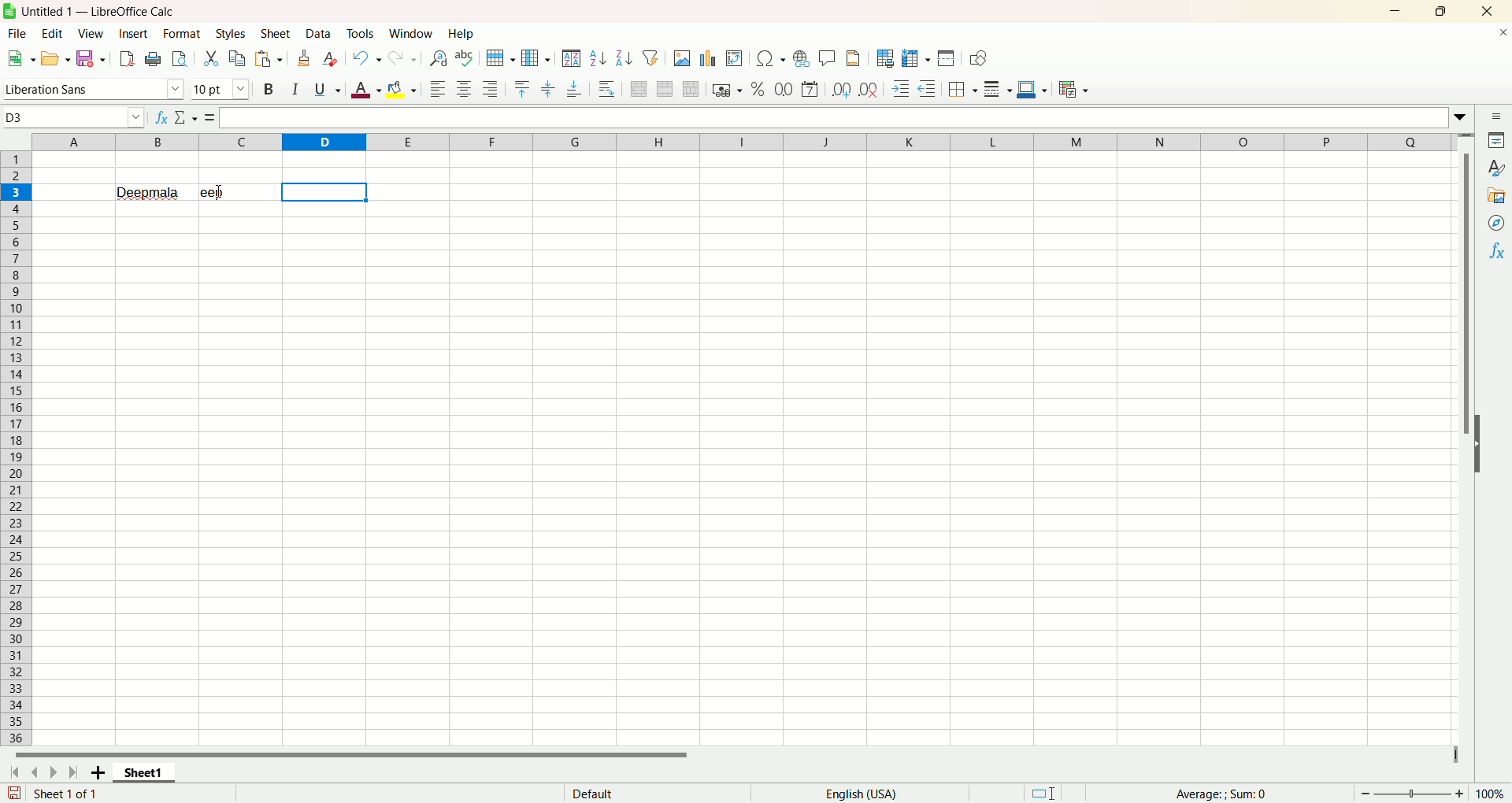 This screenshot has width=1512, height=803. Describe the element at coordinates (276, 33) in the screenshot. I see `Sheet` at that location.